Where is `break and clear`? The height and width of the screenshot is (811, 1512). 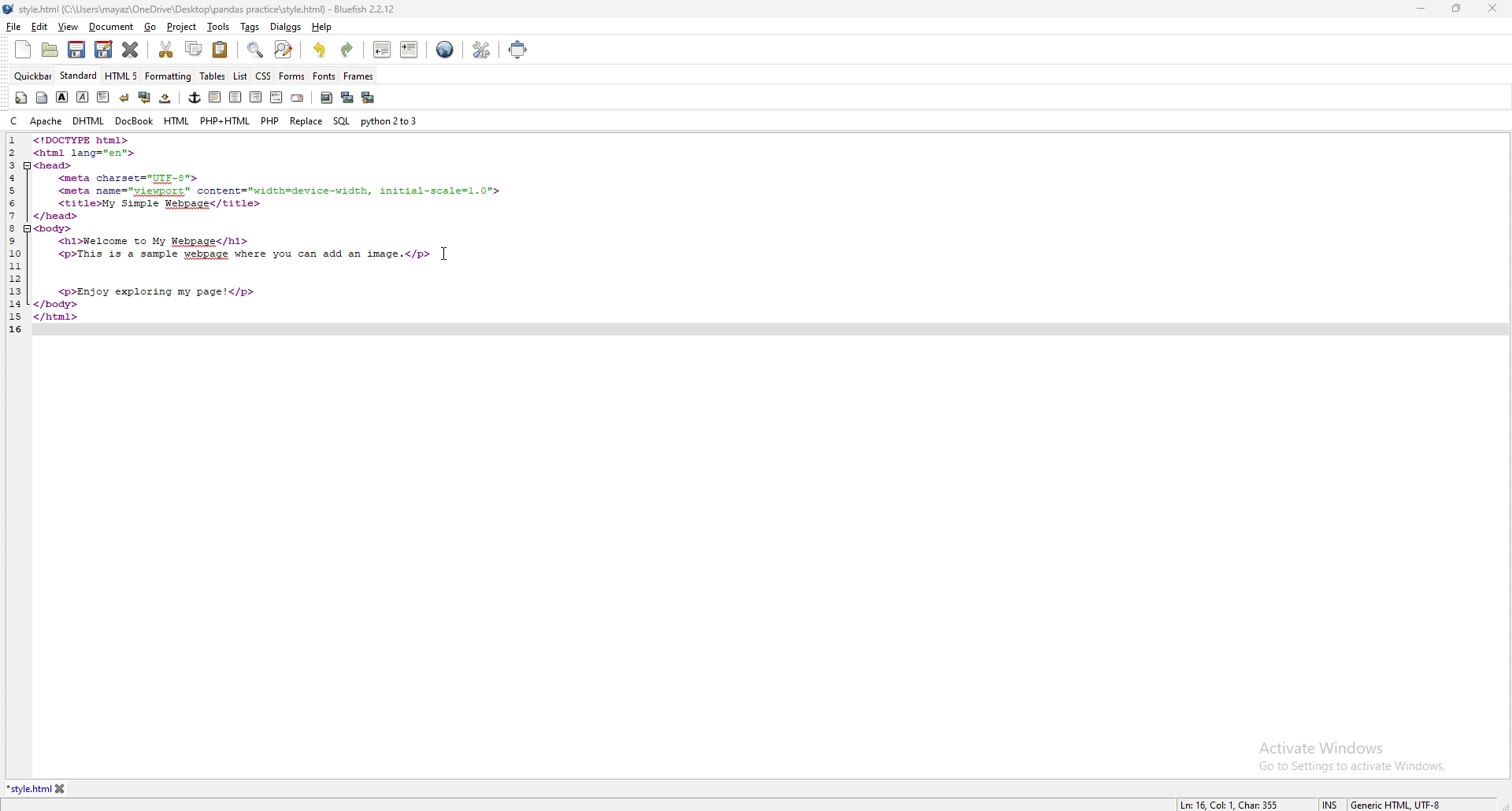 break and clear is located at coordinates (145, 97).